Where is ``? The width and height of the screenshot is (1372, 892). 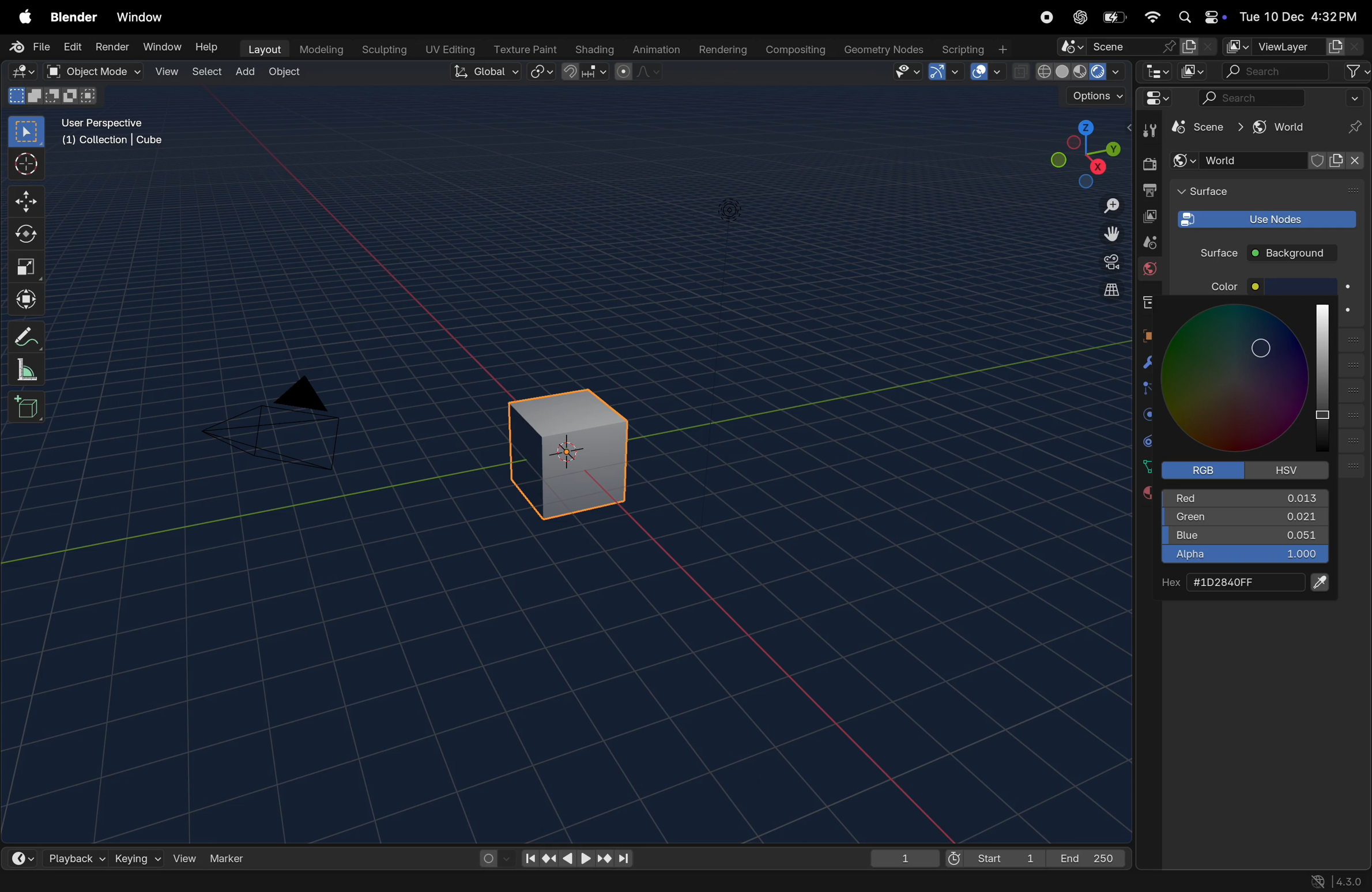  is located at coordinates (1284, 98).